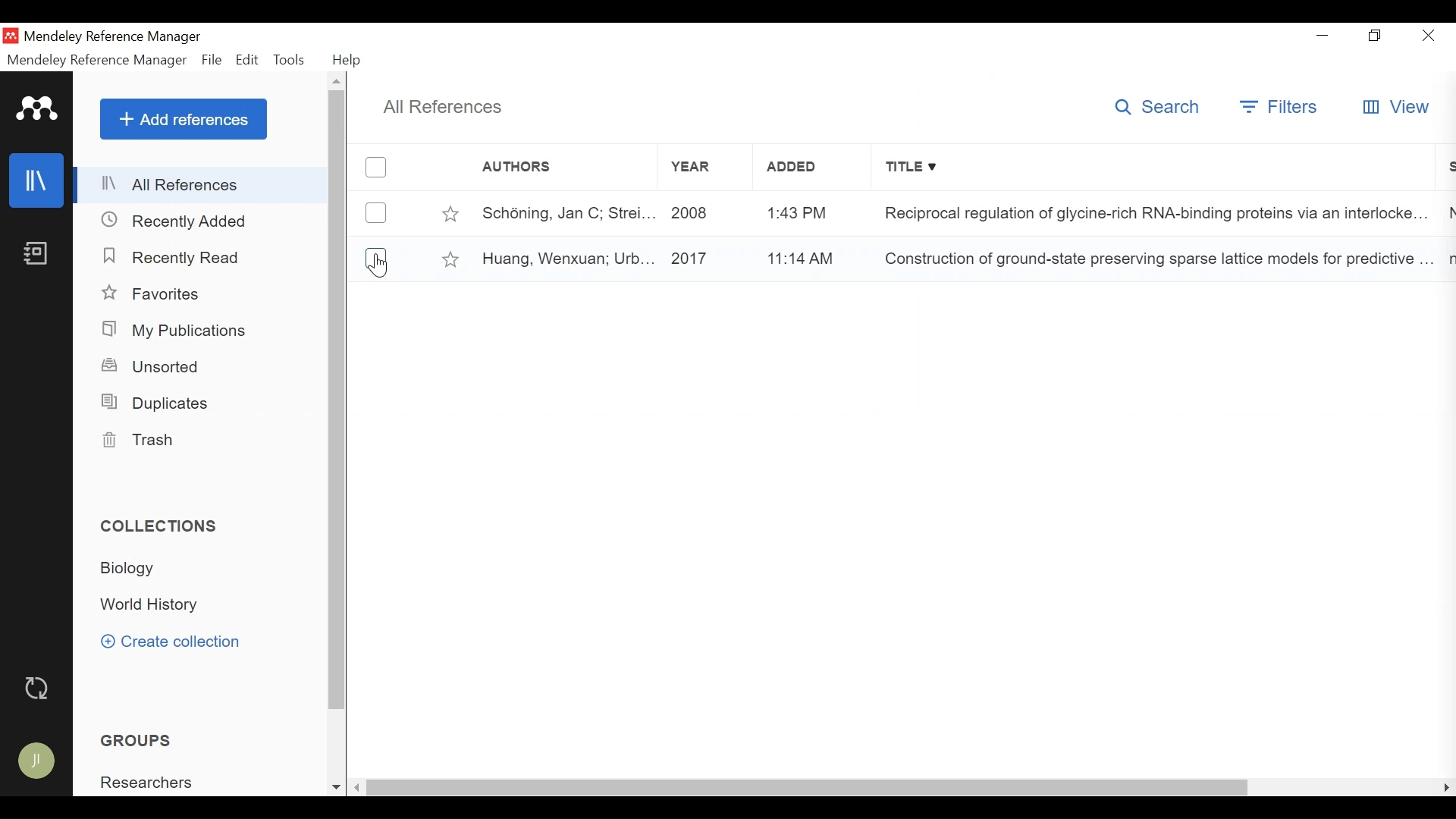 The width and height of the screenshot is (1456, 819). Describe the element at coordinates (157, 367) in the screenshot. I see `Unsorted` at that location.